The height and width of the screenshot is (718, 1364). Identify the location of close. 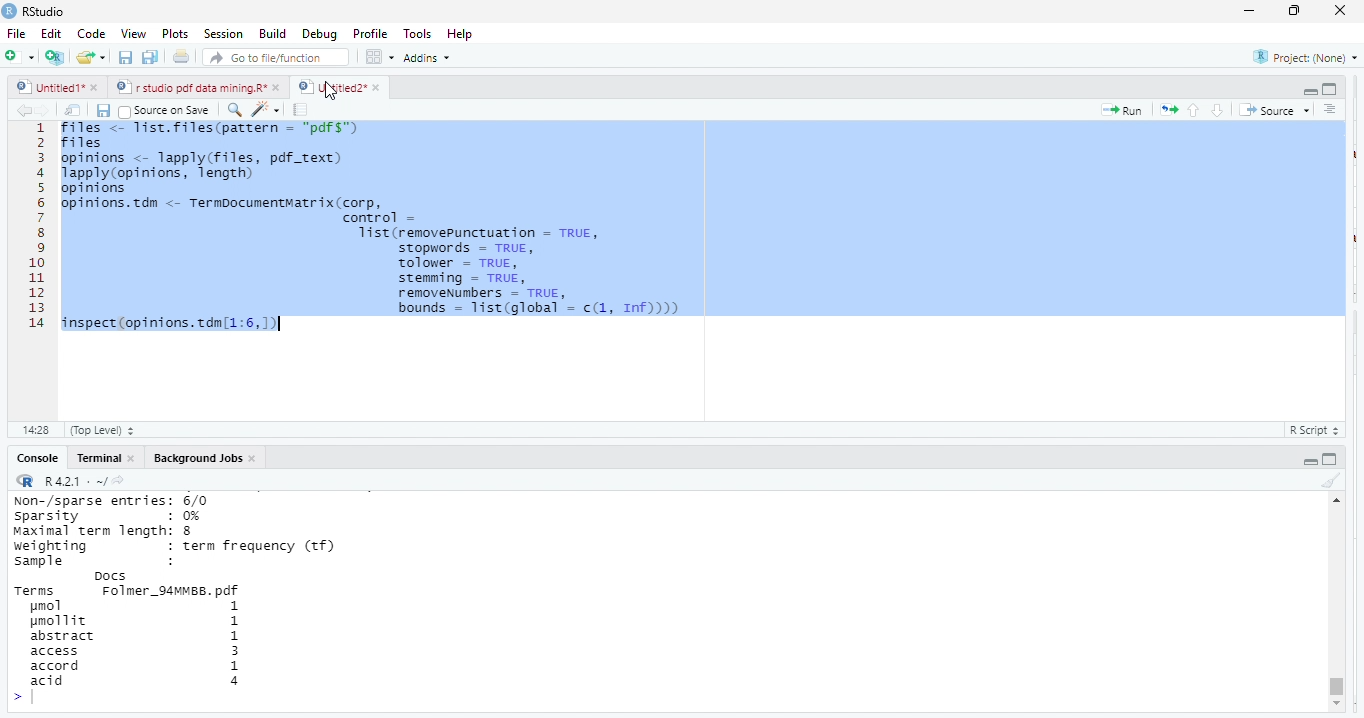
(376, 87).